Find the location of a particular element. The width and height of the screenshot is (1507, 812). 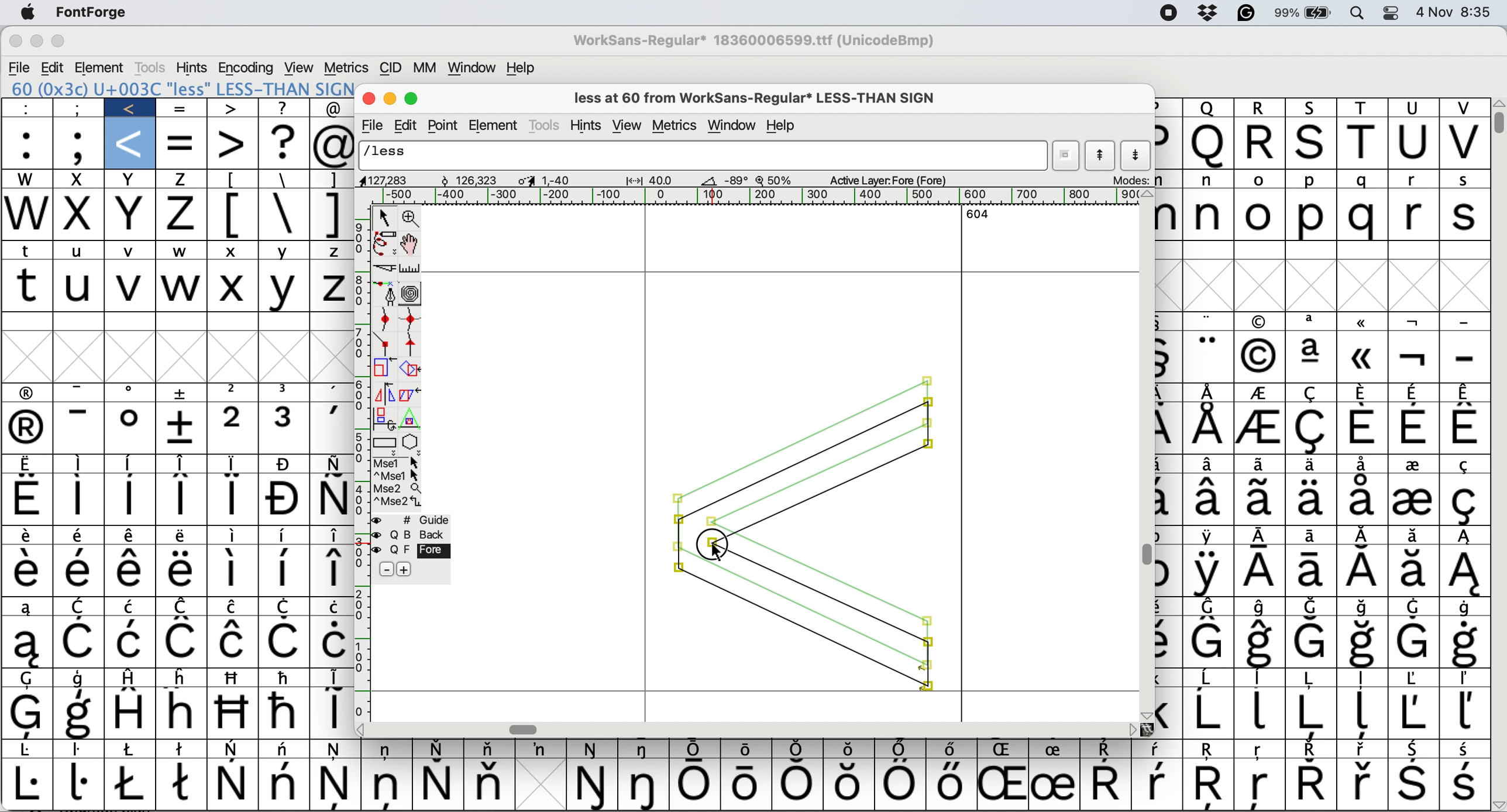

60 (0x3c) U+003C "less" LESS-THAN SIGN is located at coordinates (181, 88).